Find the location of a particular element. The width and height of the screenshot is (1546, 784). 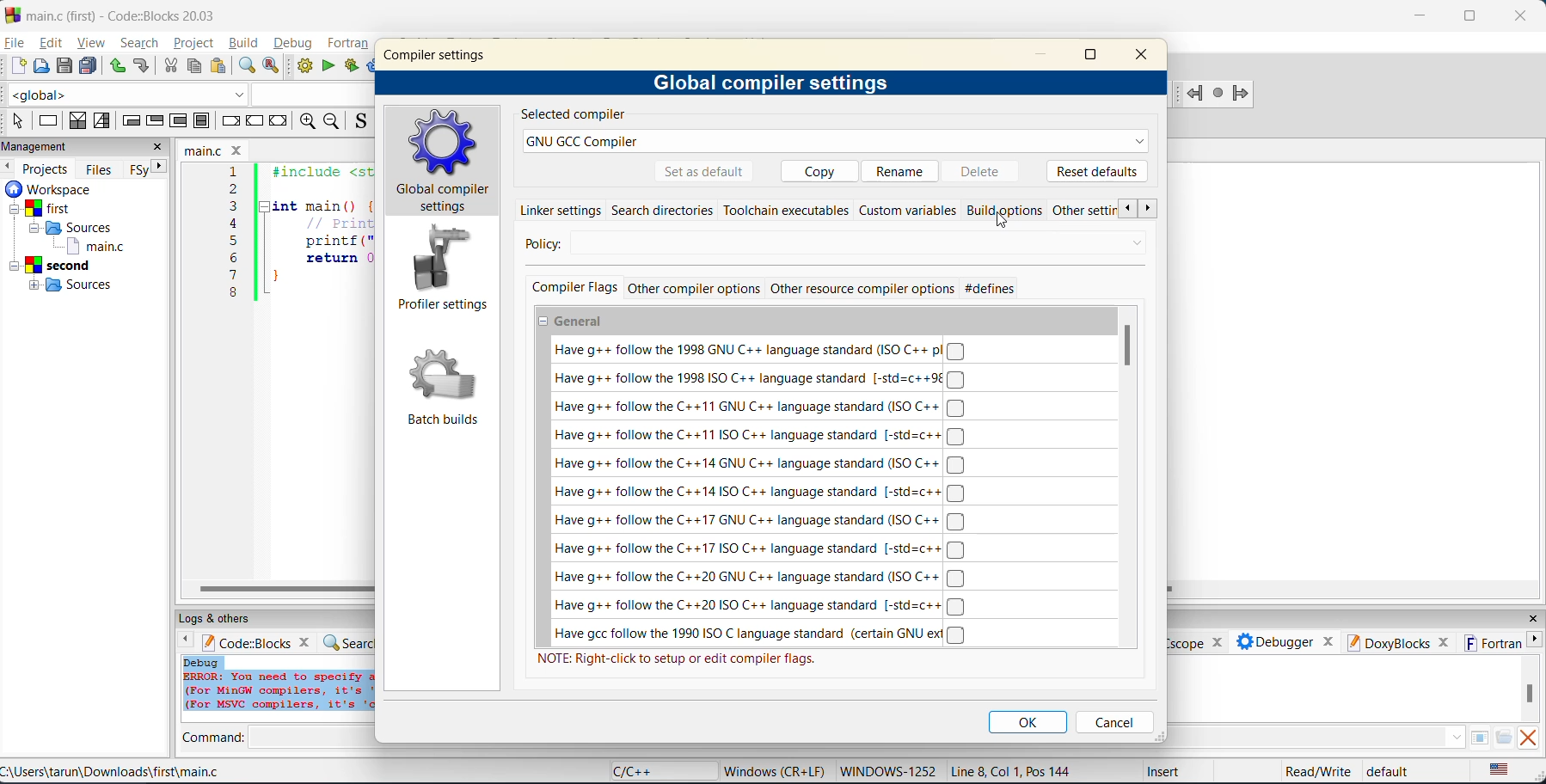

Have g++ follow the C++20 GNU C++ language standard (ISO C++  is located at coordinates (759, 579).